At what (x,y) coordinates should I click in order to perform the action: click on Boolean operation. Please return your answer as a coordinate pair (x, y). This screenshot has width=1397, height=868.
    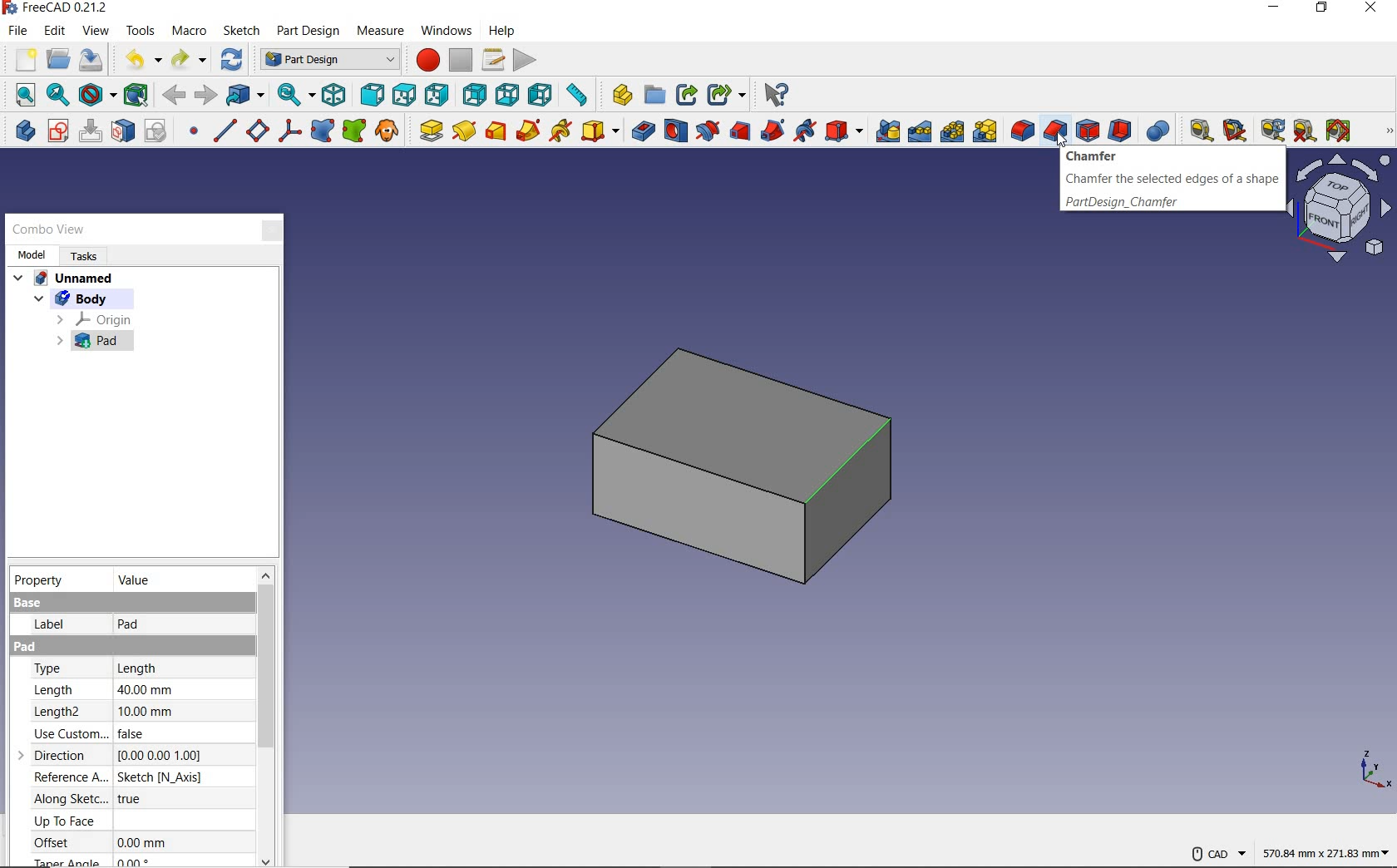
    Looking at the image, I should click on (1158, 131).